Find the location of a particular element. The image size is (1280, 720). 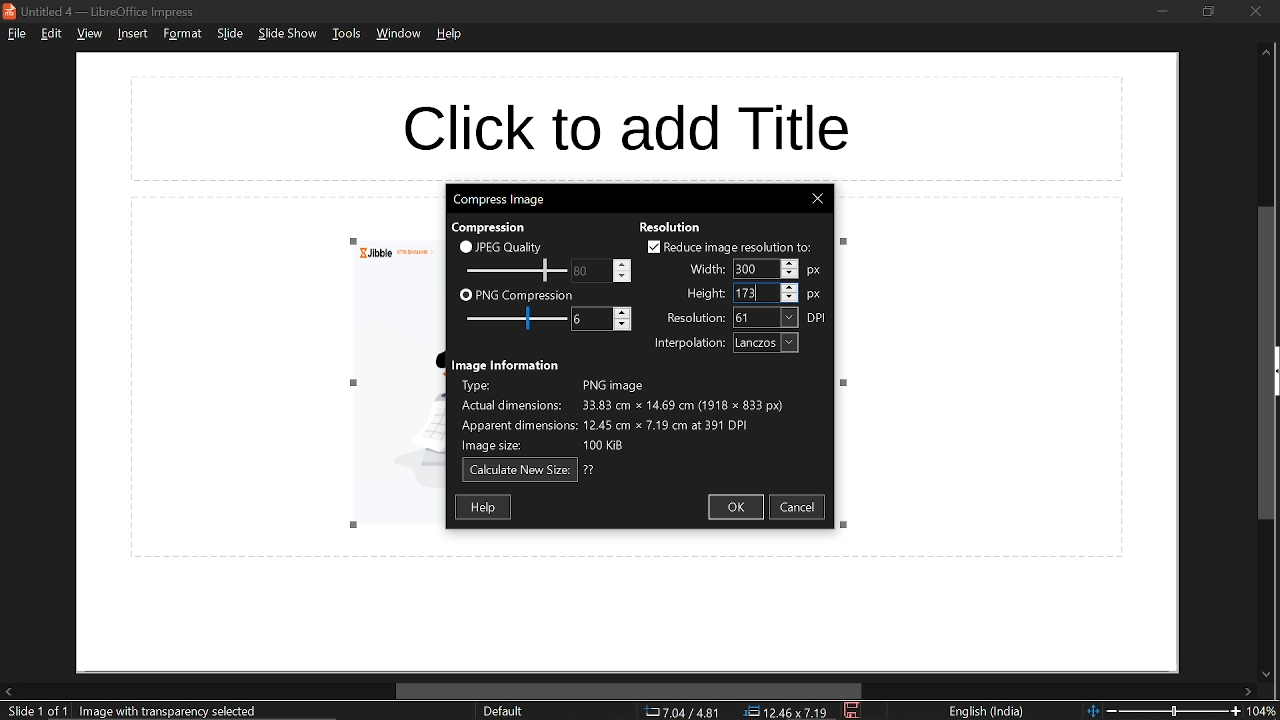

help is located at coordinates (484, 507).